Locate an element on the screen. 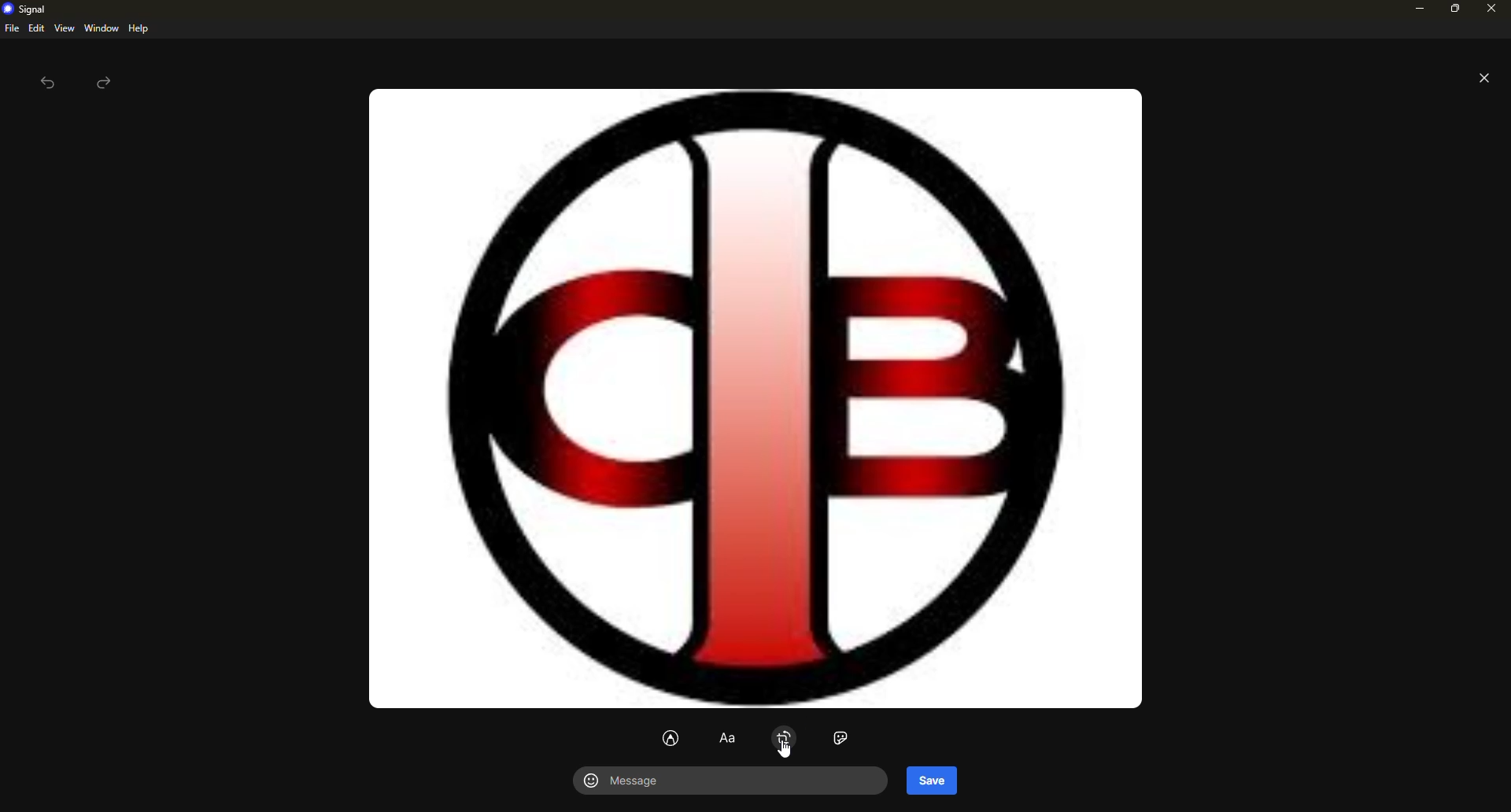 The width and height of the screenshot is (1511, 812). save is located at coordinates (932, 780).